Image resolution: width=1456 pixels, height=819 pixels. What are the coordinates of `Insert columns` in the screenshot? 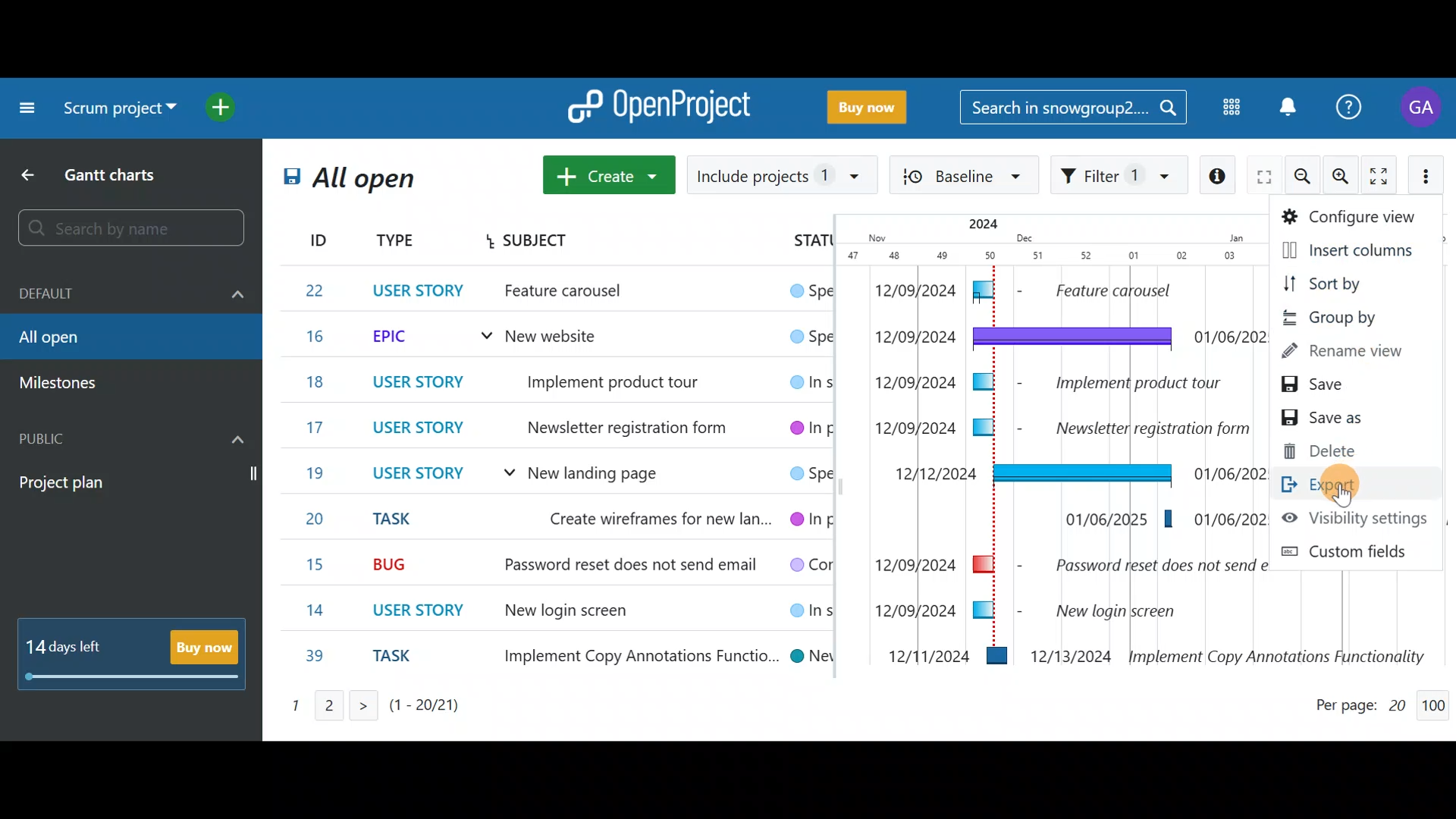 It's located at (1344, 249).